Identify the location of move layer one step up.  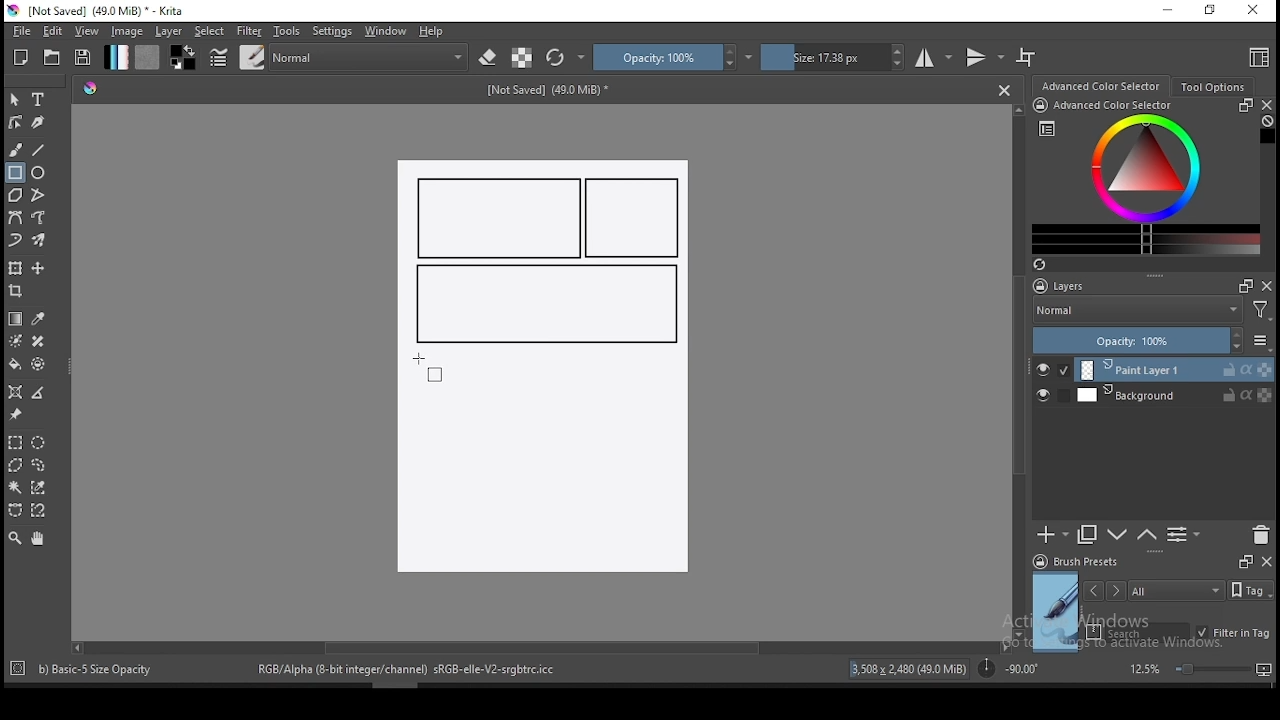
(1118, 537).